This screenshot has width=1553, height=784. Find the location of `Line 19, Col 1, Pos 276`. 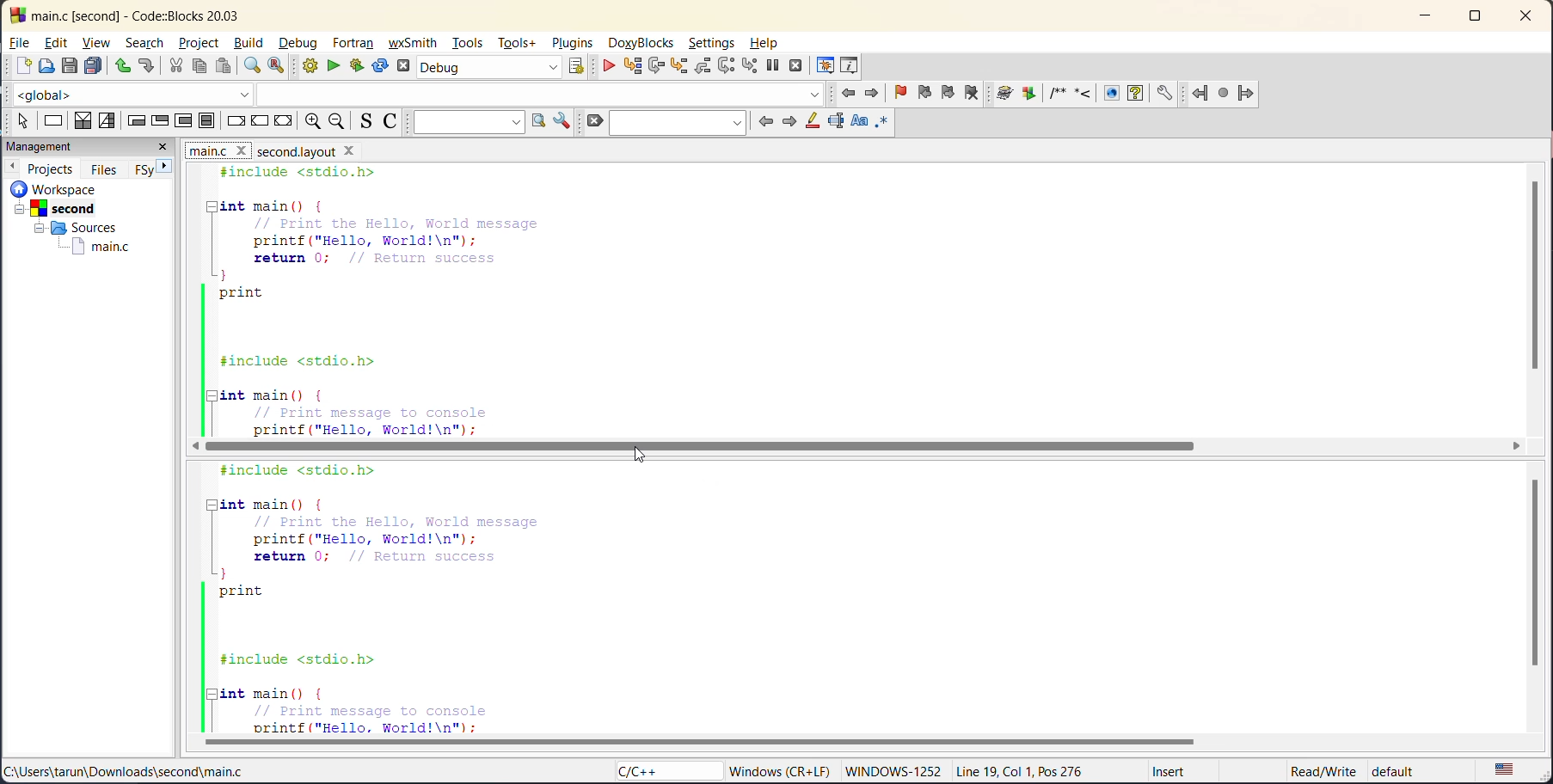

Line 19, Col 1, Pos 276 is located at coordinates (1027, 772).